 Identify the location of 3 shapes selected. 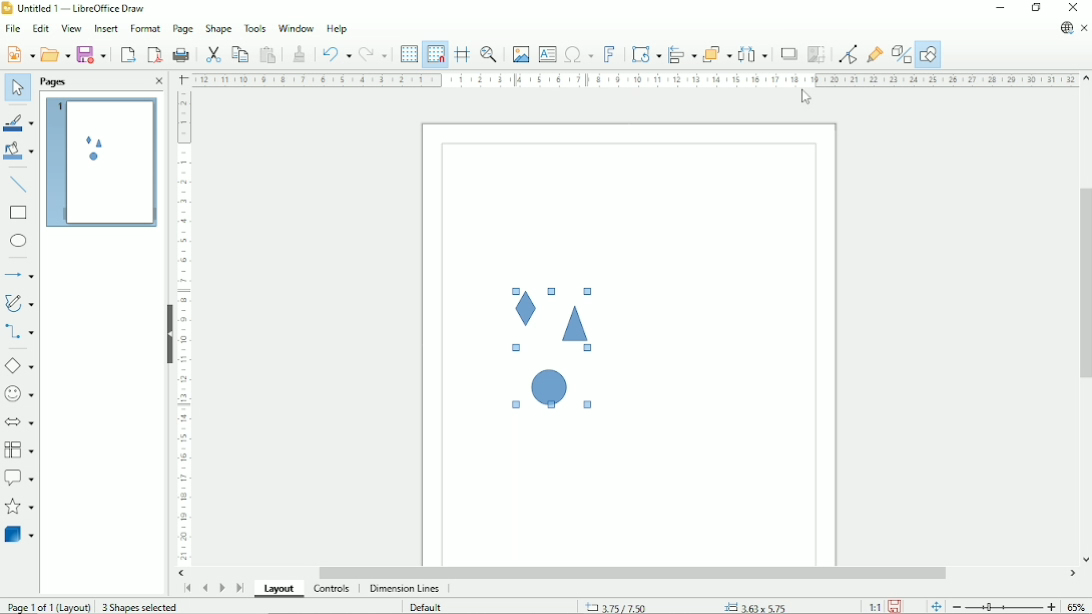
(142, 607).